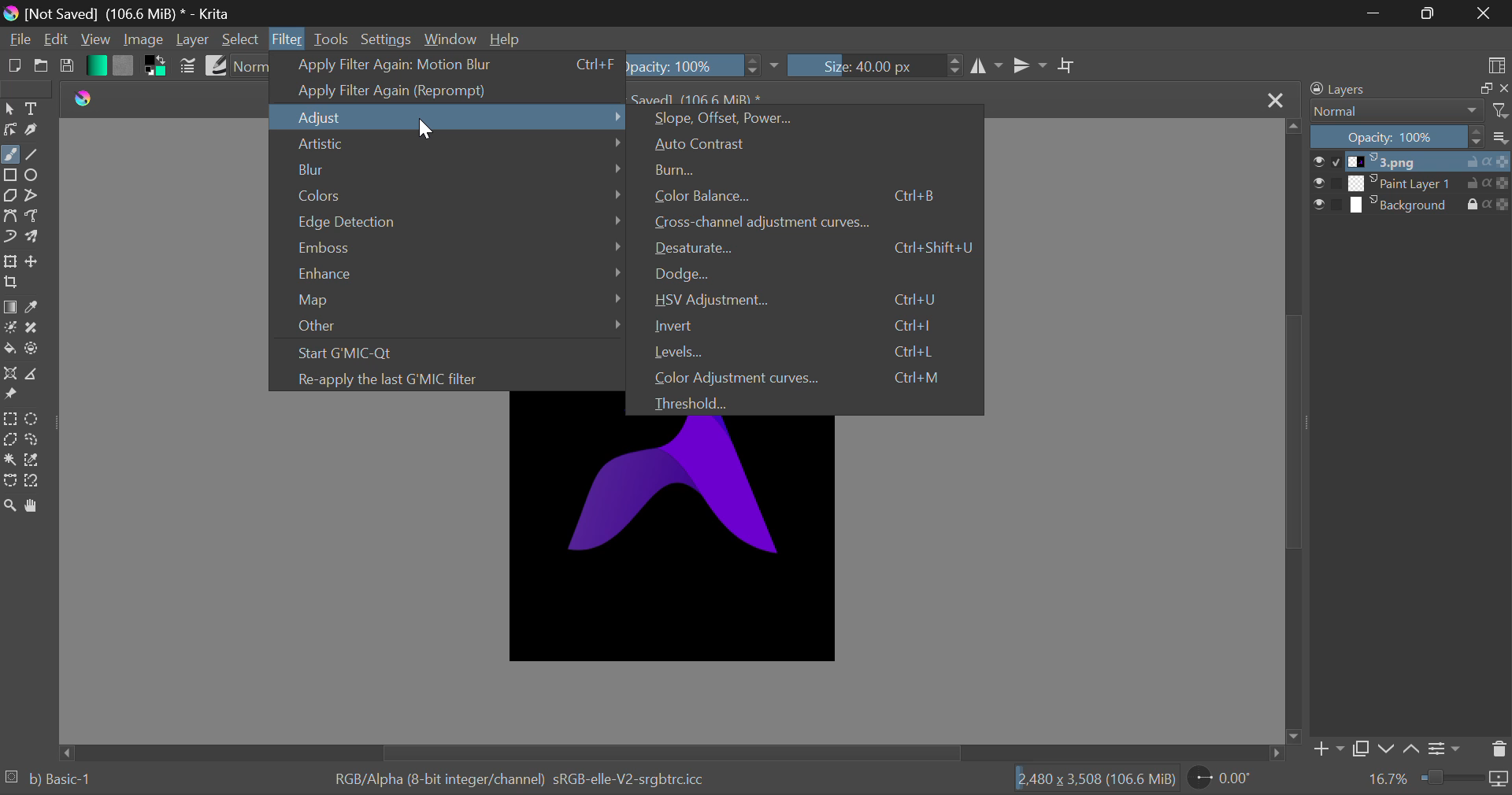  Describe the element at coordinates (10, 238) in the screenshot. I see `Dynamic Brush` at that location.